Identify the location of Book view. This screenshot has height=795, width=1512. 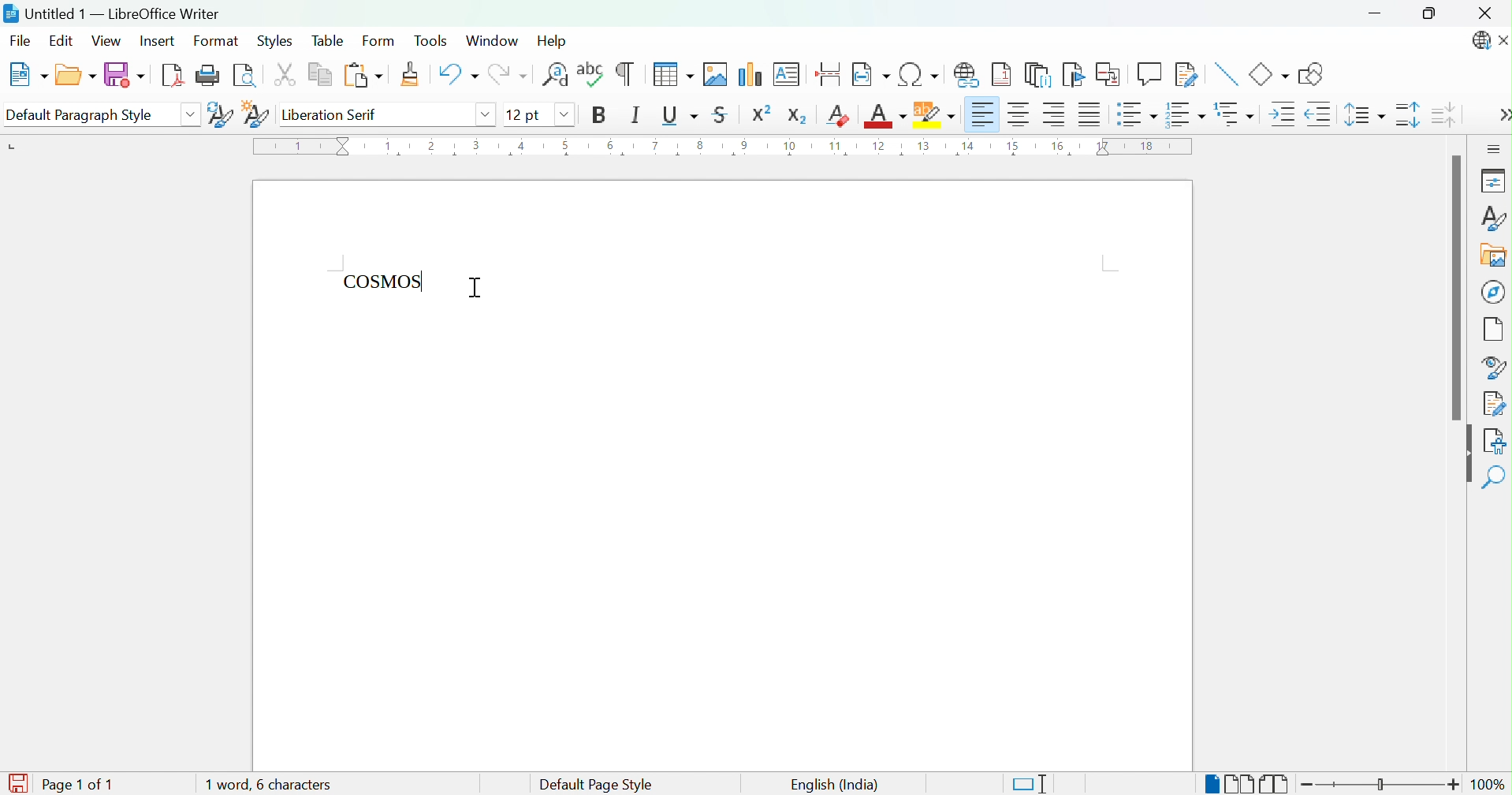
(1275, 785).